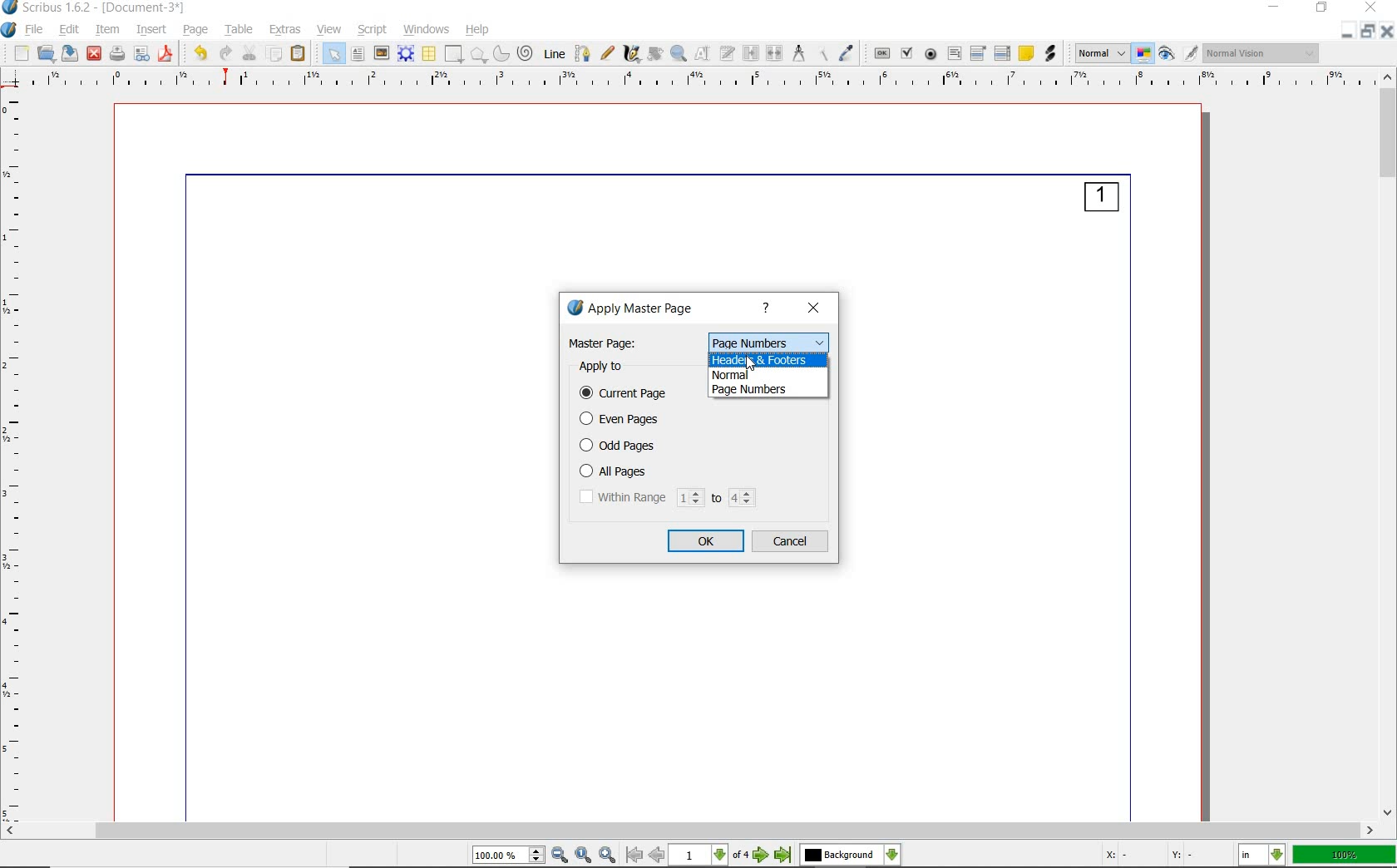 This screenshot has height=868, width=1397. I want to click on extras, so click(287, 30).